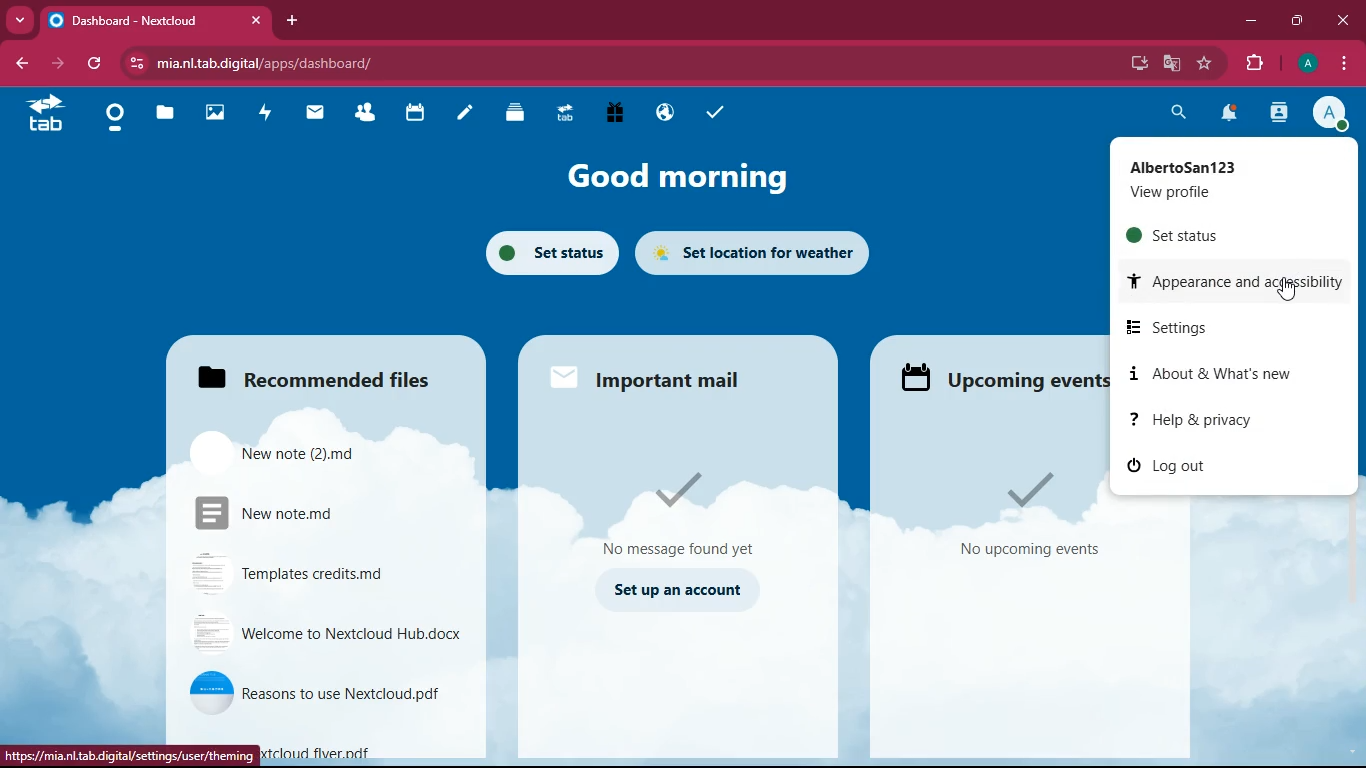 This screenshot has width=1366, height=768. Describe the element at coordinates (681, 589) in the screenshot. I see `set up an account` at that location.